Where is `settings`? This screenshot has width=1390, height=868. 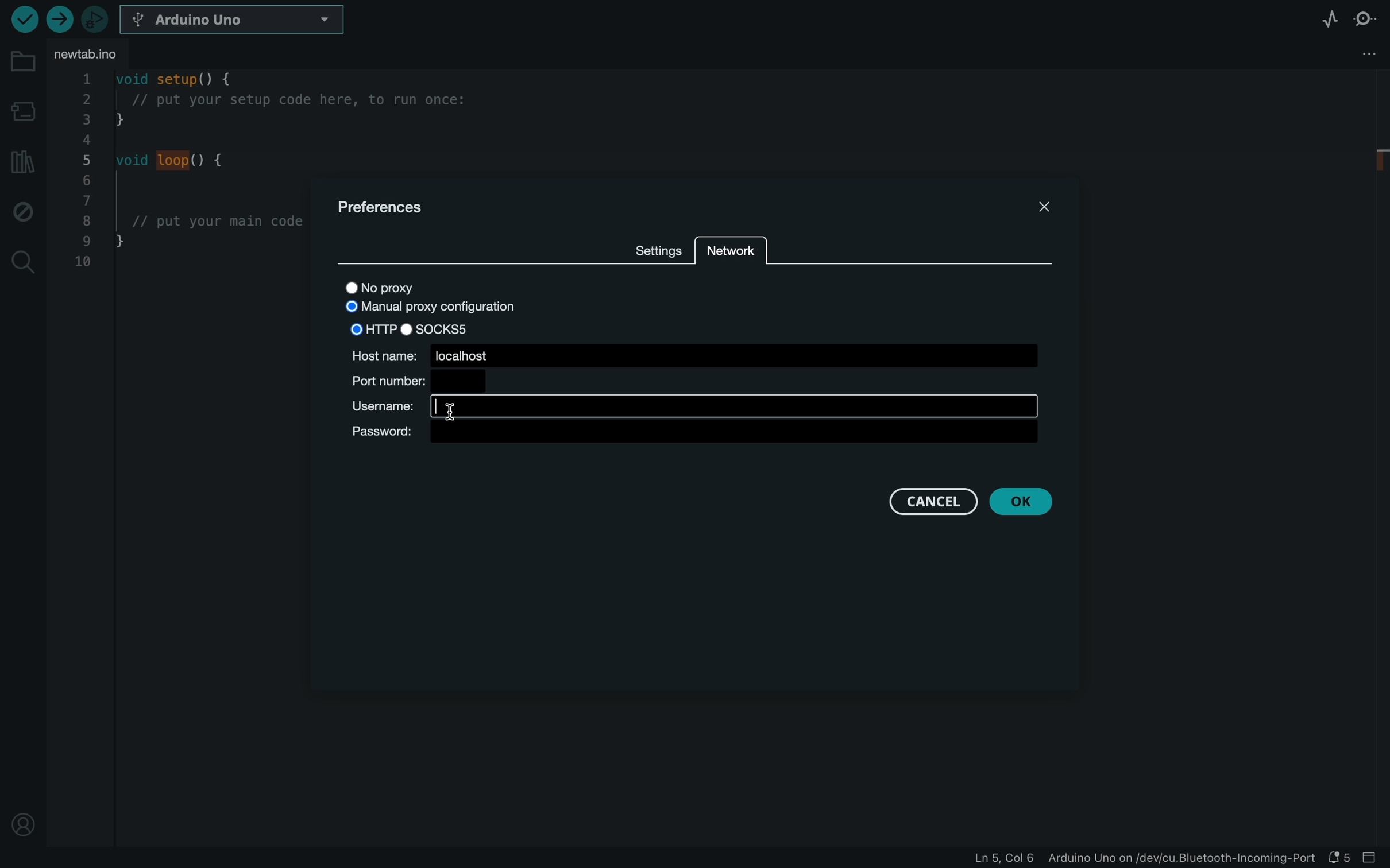
settings is located at coordinates (657, 248).